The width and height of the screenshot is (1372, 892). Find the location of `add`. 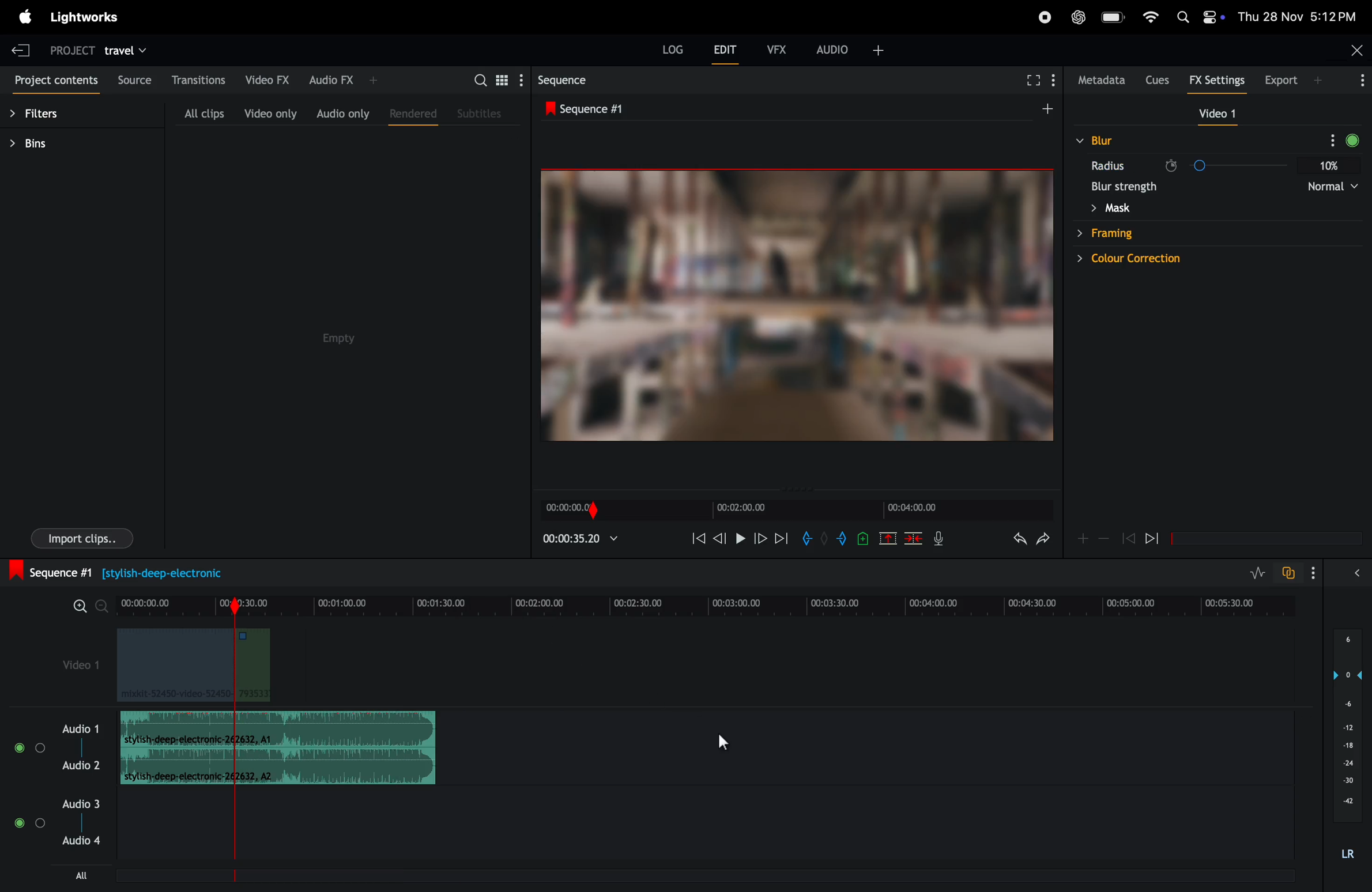

add is located at coordinates (1081, 538).